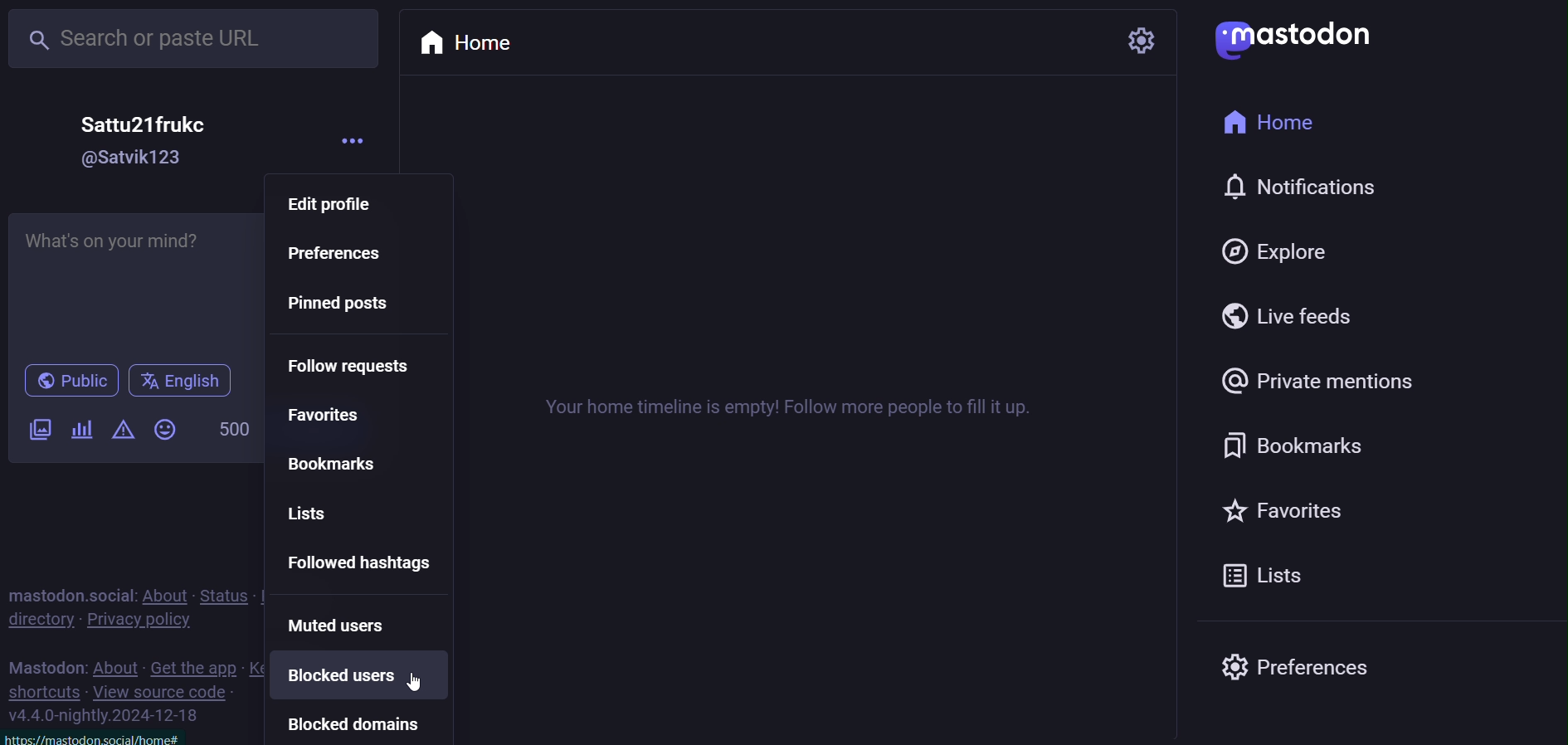 This screenshot has width=1568, height=745. Describe the element at coordinates (335, 511) in the screenshot. I see `Lists` at that location.